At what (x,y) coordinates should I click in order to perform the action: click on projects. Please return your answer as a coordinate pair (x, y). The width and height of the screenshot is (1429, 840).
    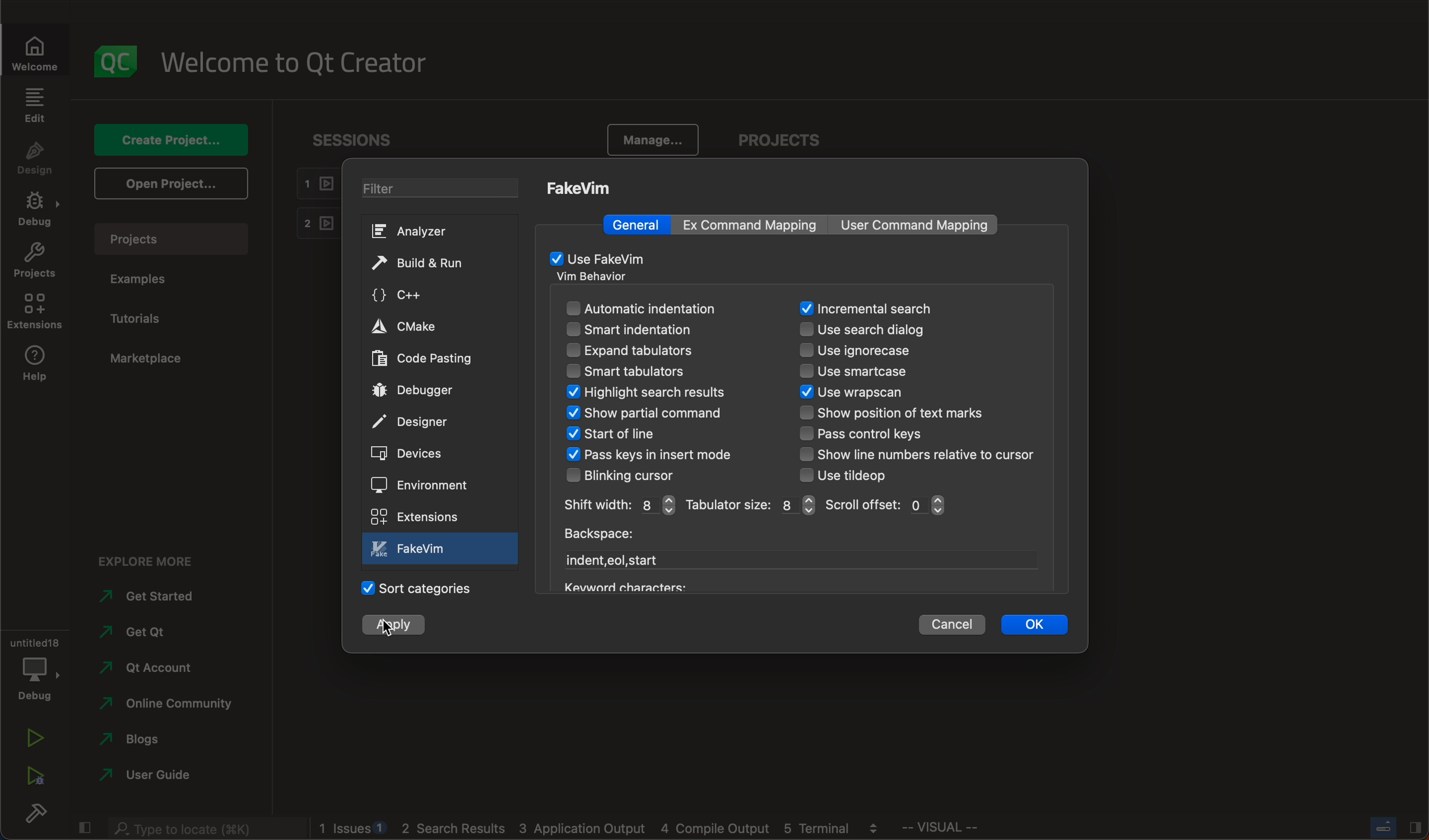
    Looking at the image, I should click on (37, 260).